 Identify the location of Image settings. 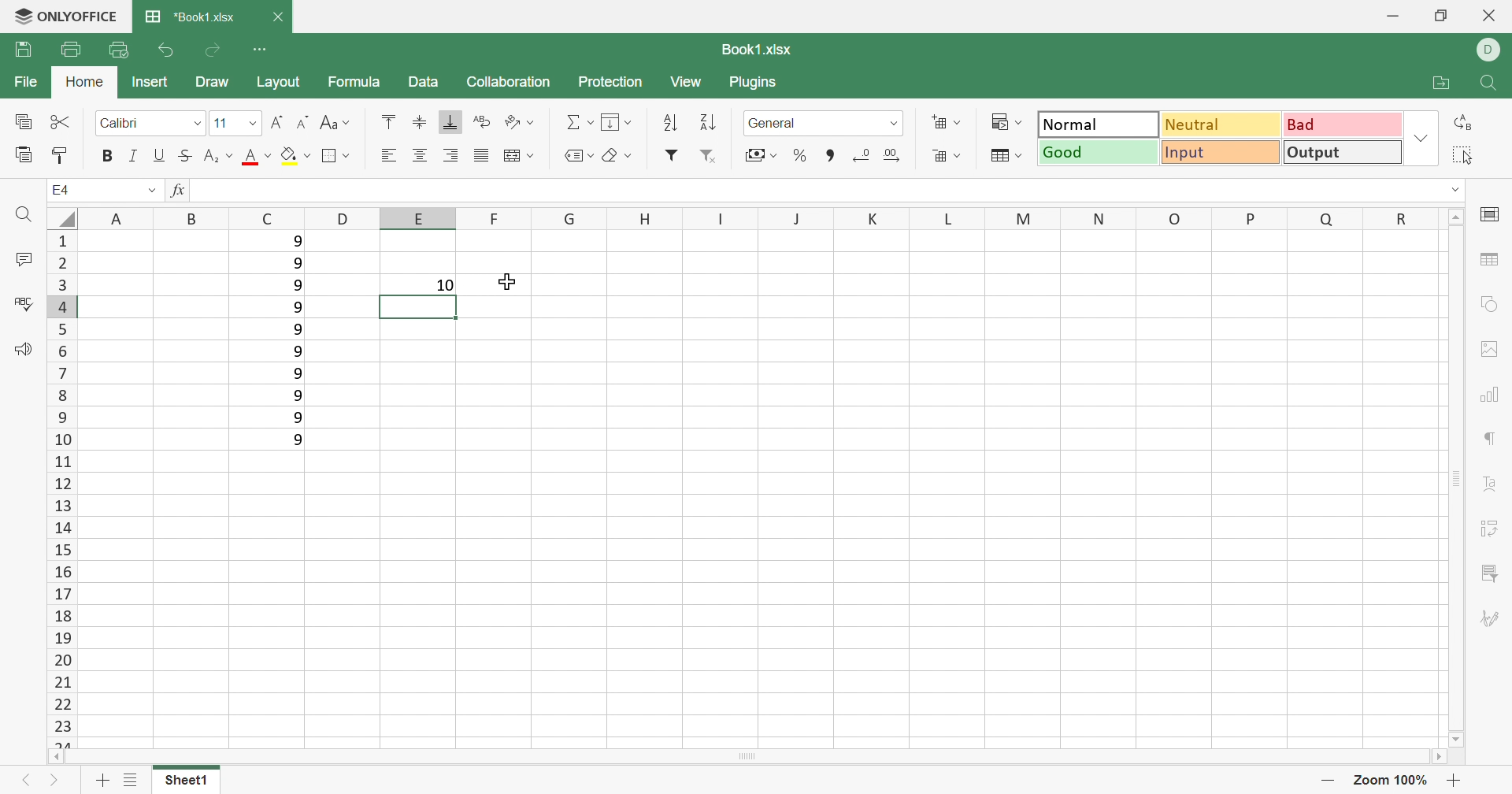
(1489, 350).